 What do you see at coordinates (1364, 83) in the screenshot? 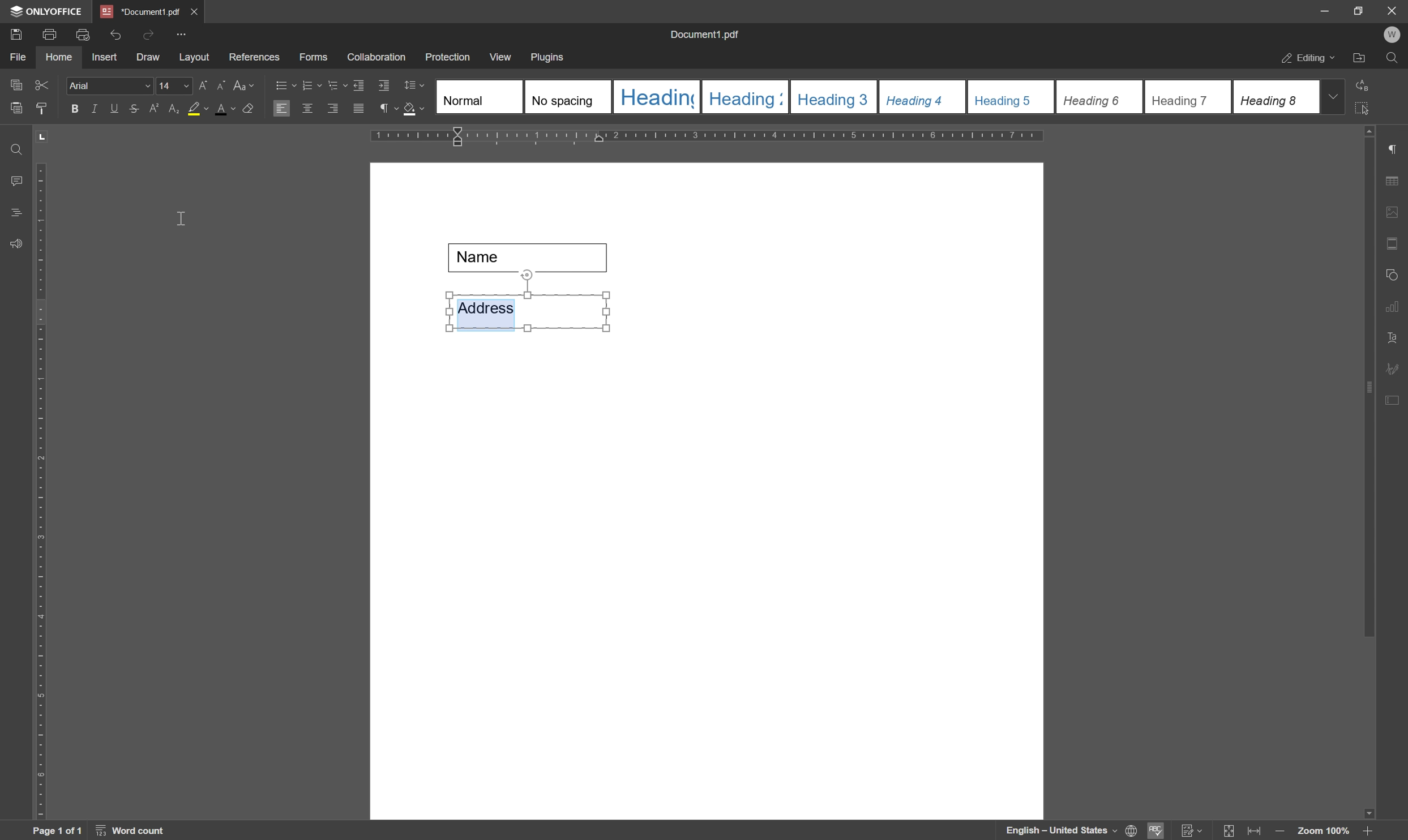
I see `replace` at bounding box center [1364, 83].